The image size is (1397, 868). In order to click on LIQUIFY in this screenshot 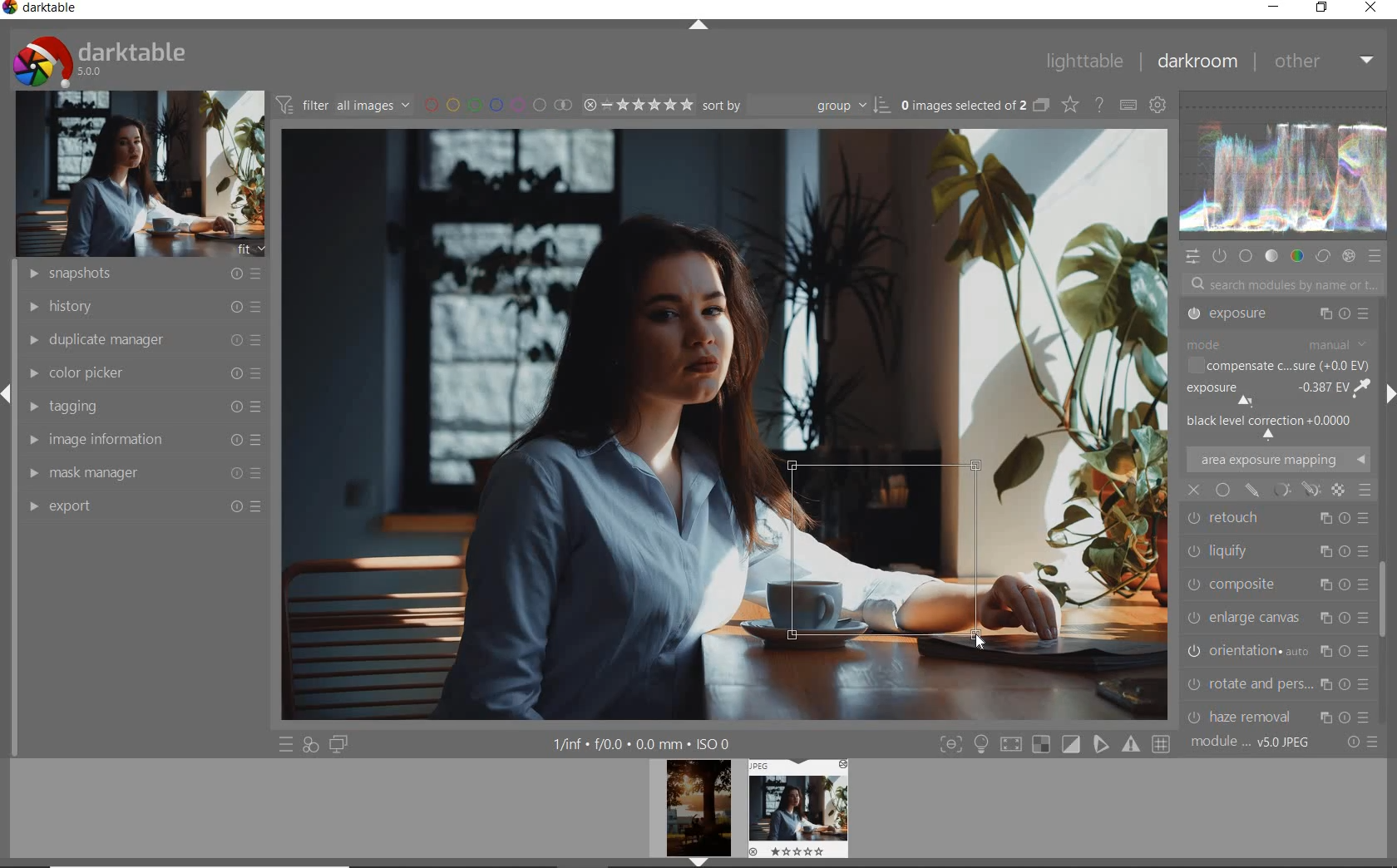, I will do `click(1274, 457)`.